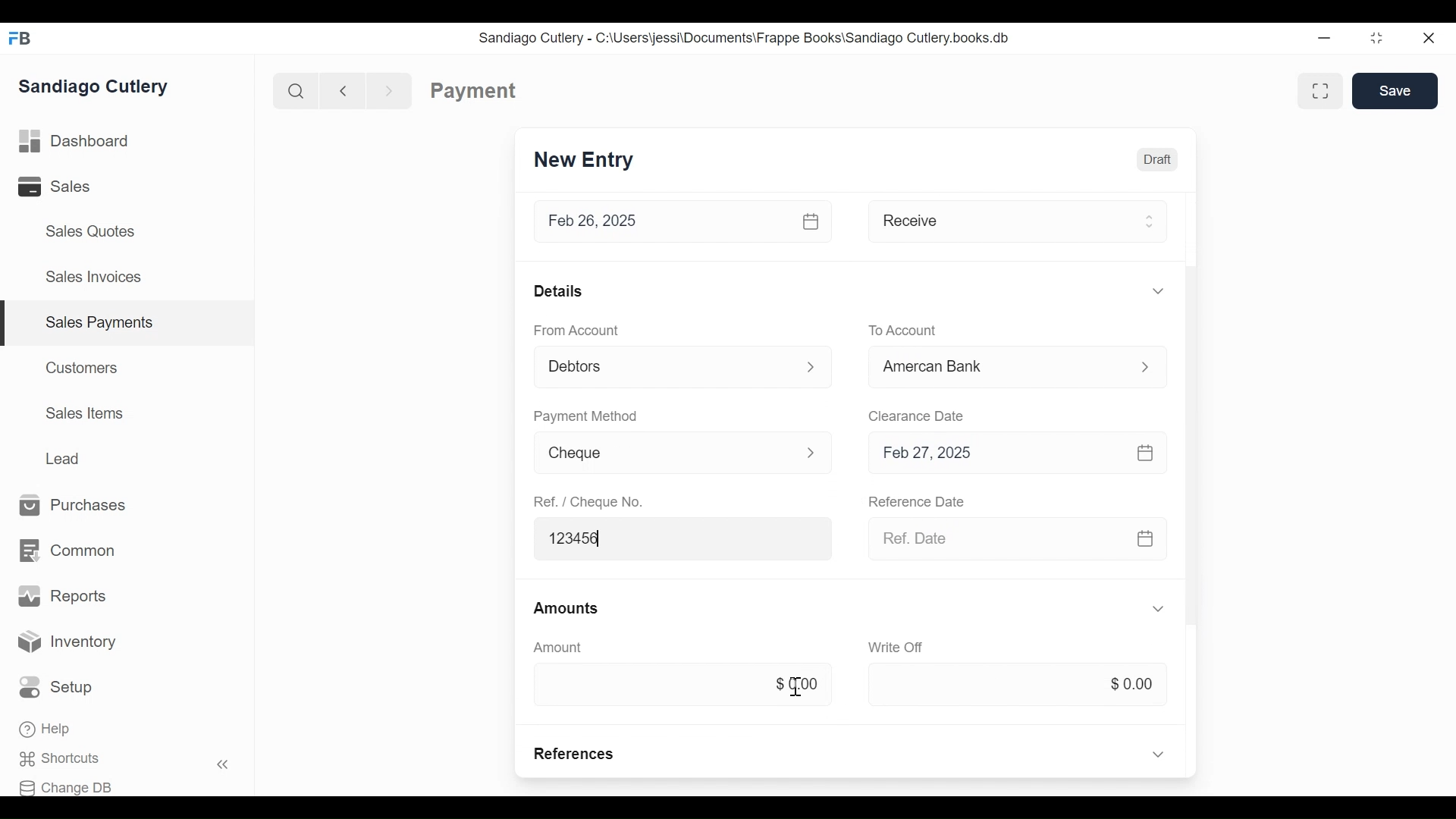 The height and width of the screenshot is (819, 1456). What do you see at coordinates (575, 329) in the screenshot?
I see `From Account` at bounding box center [575, 329].